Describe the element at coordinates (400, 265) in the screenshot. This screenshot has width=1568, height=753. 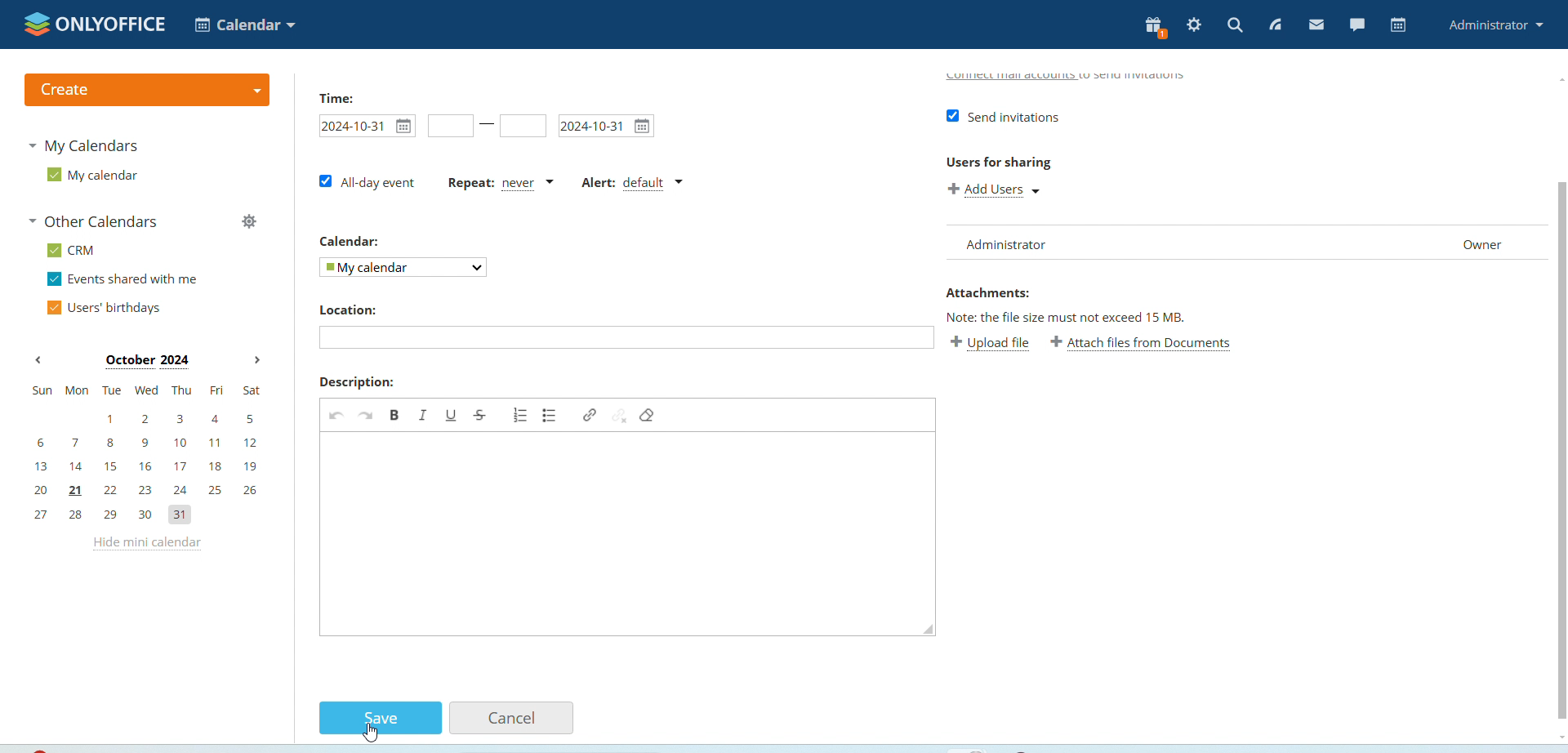
I see `my calendar` at that location.